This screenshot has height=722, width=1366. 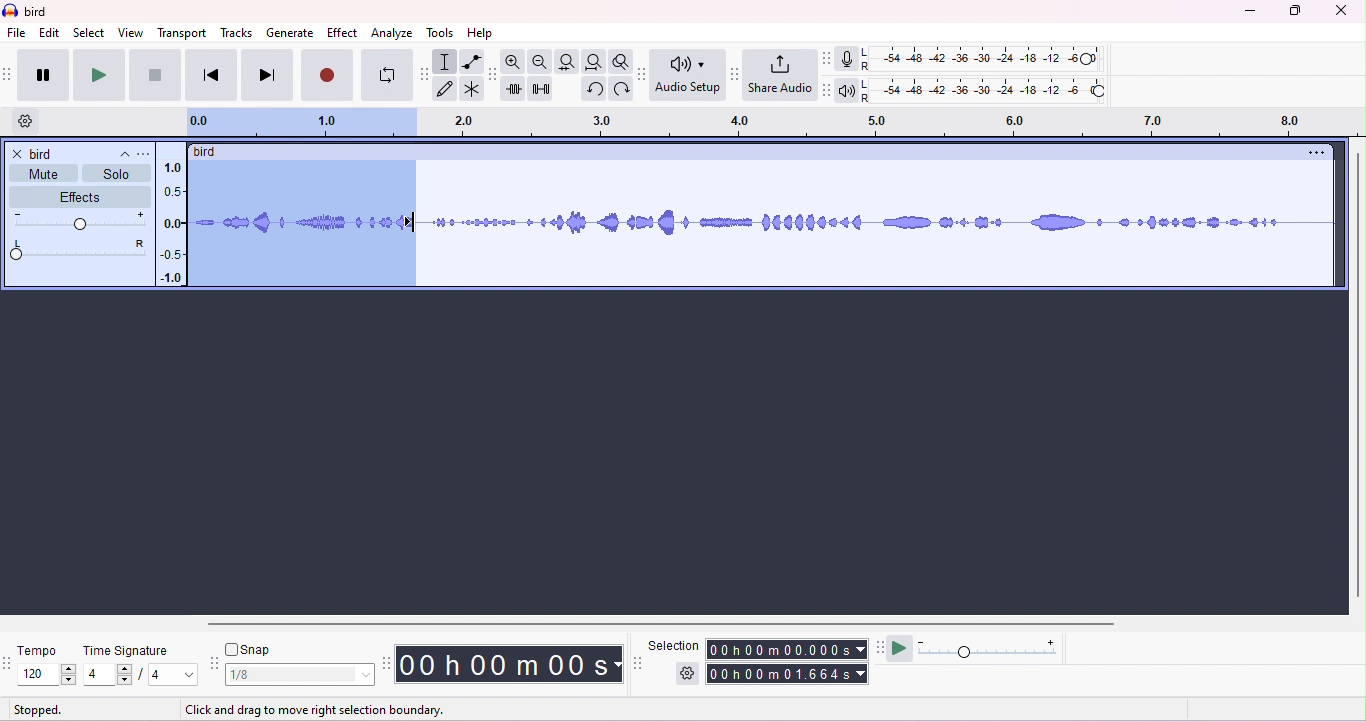 What do you see at coordinates (676, 643) in the screenshot?
I see `selection` at bounding box center [676, 643].